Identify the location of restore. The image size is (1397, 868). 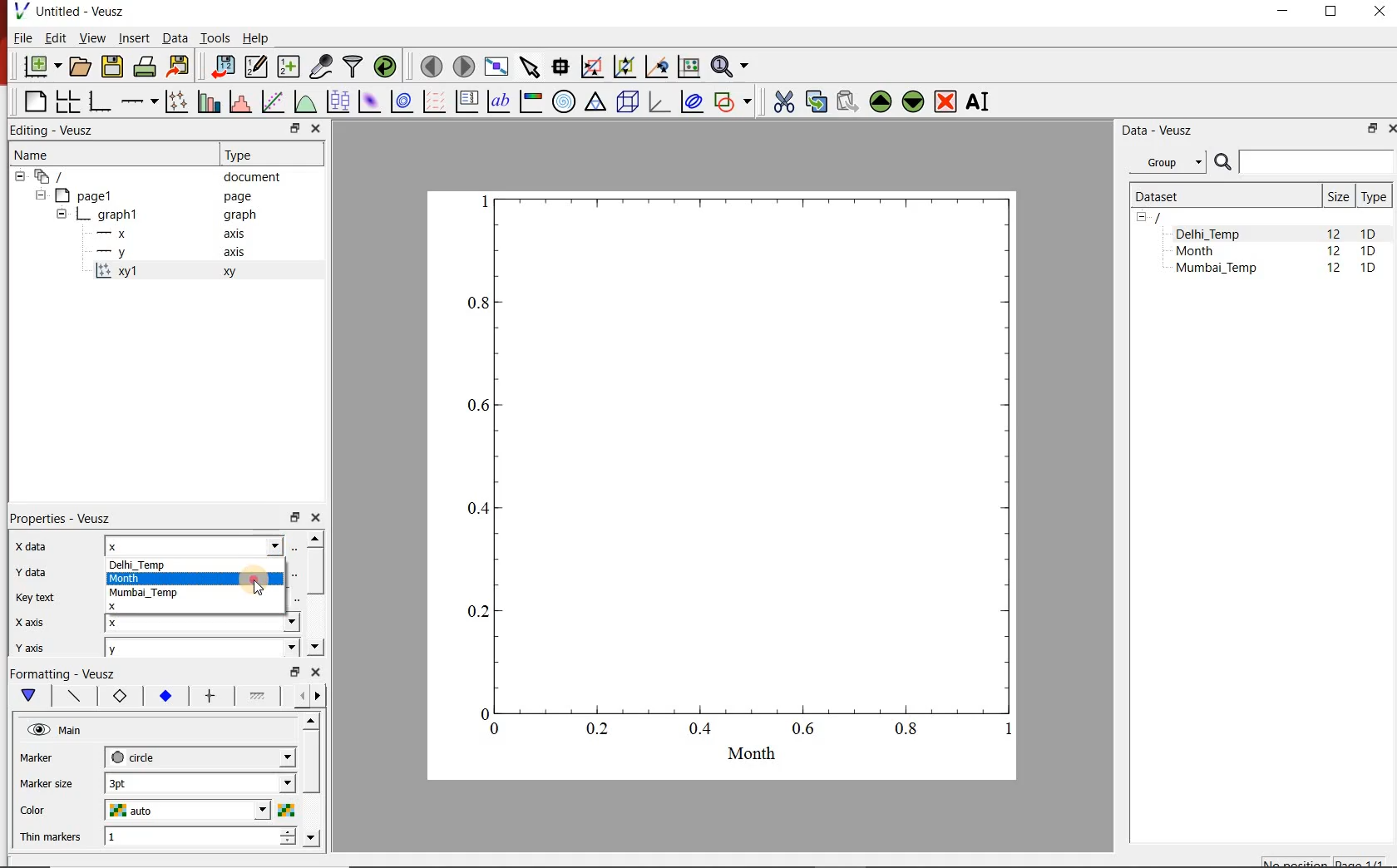
(294, 516).